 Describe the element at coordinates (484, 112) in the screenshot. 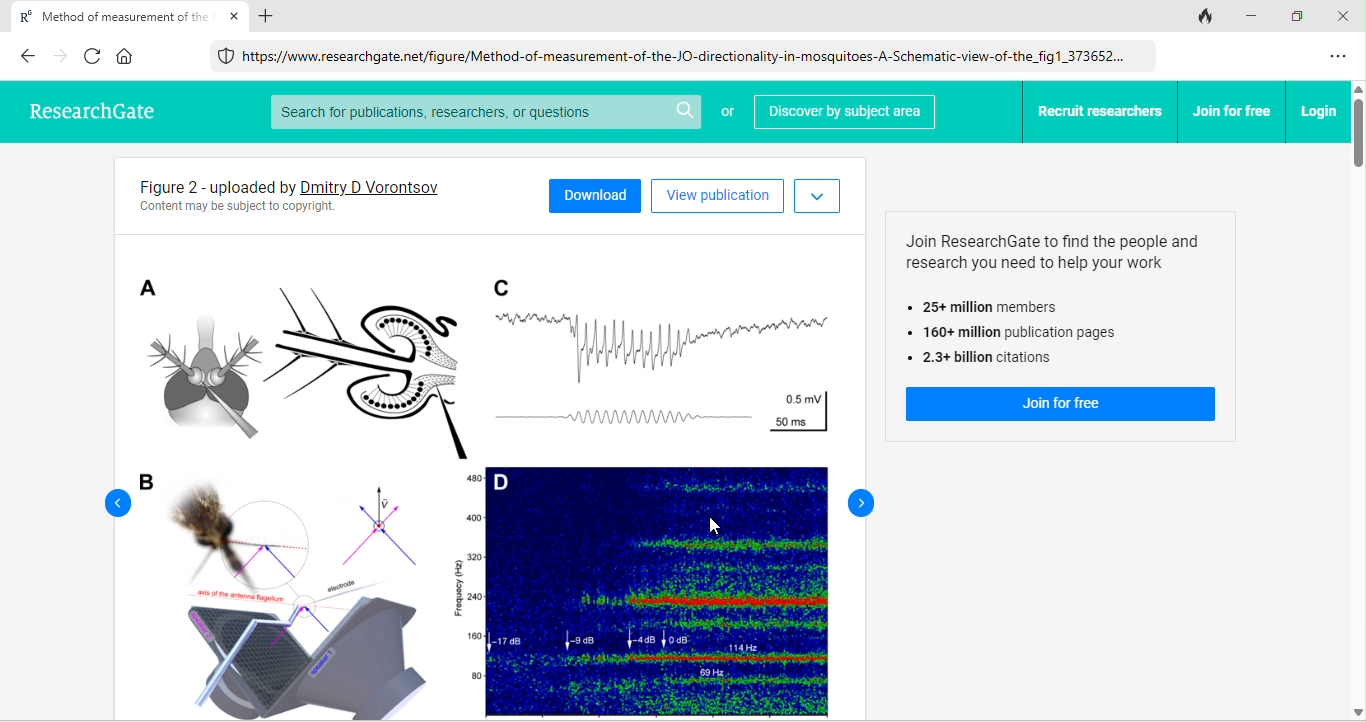

I see `search for publications, researchers or questions` at that location.